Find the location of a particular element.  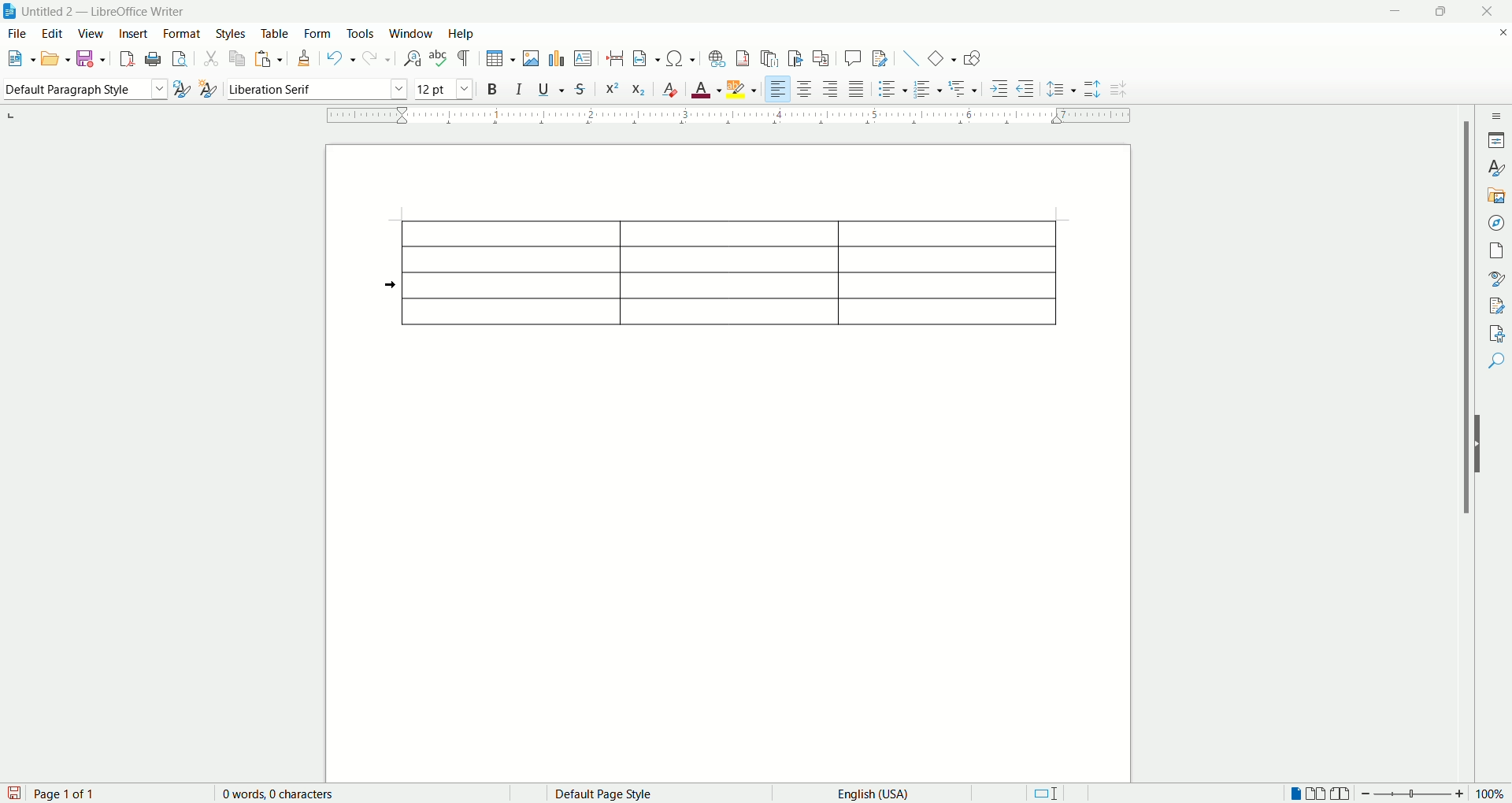

insert image is located at coordinates (532, 58).